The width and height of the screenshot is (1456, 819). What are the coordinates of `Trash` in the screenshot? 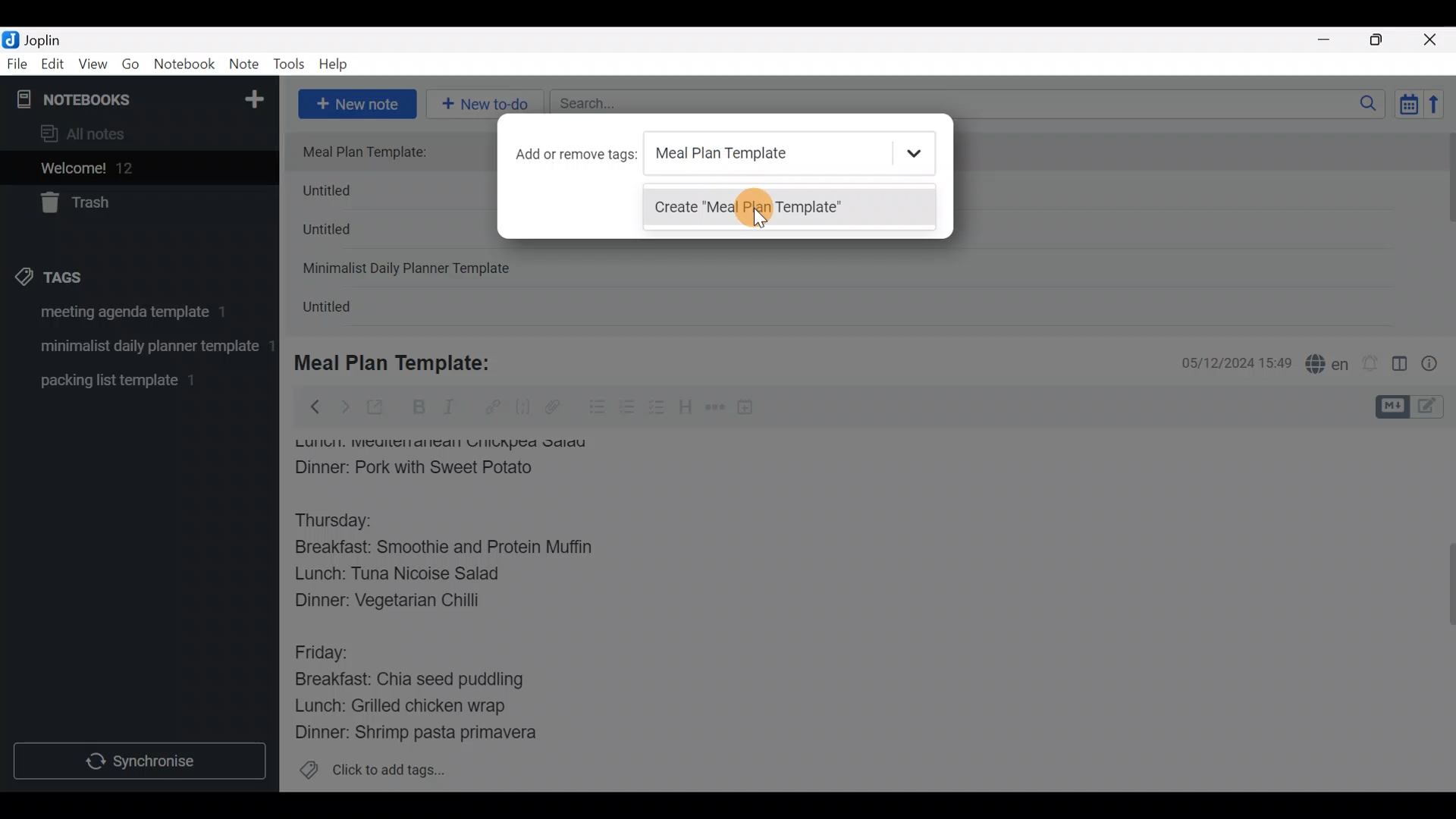 It's located at (130, 204).